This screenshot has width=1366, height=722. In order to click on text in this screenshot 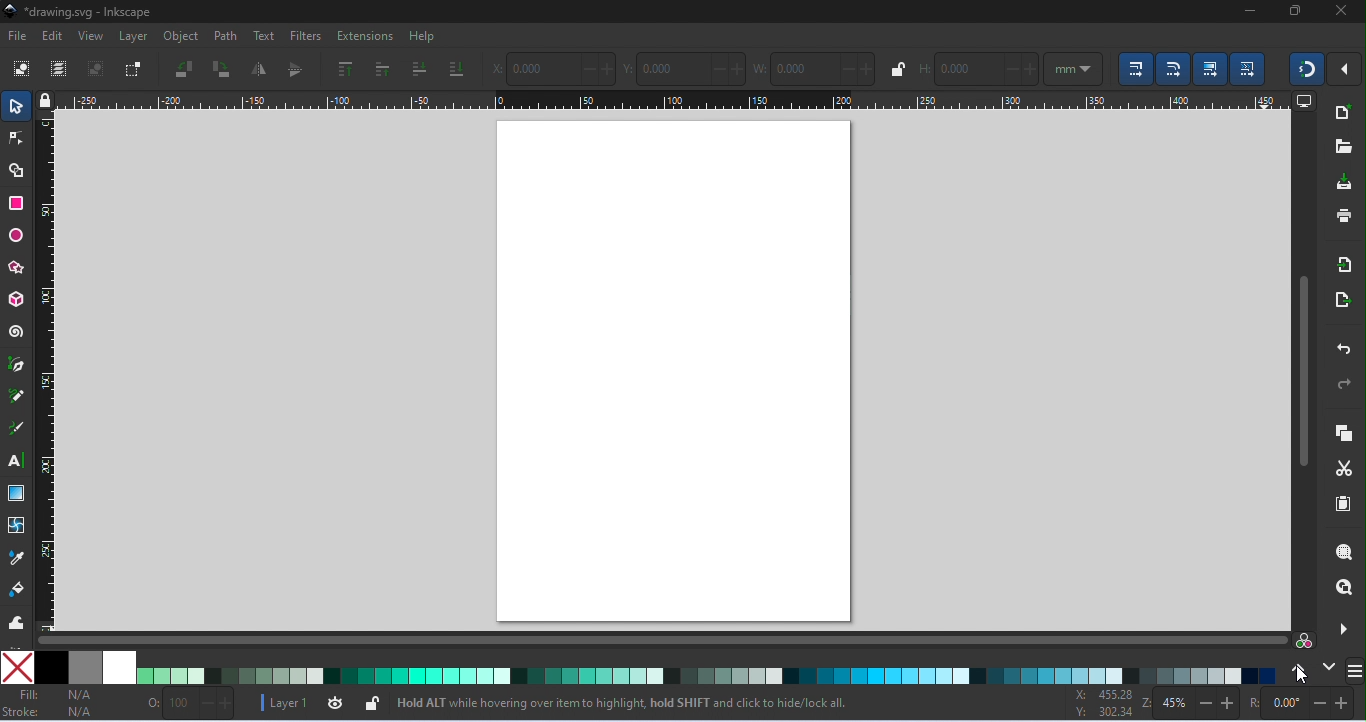, I will do `click(261, 36)`.